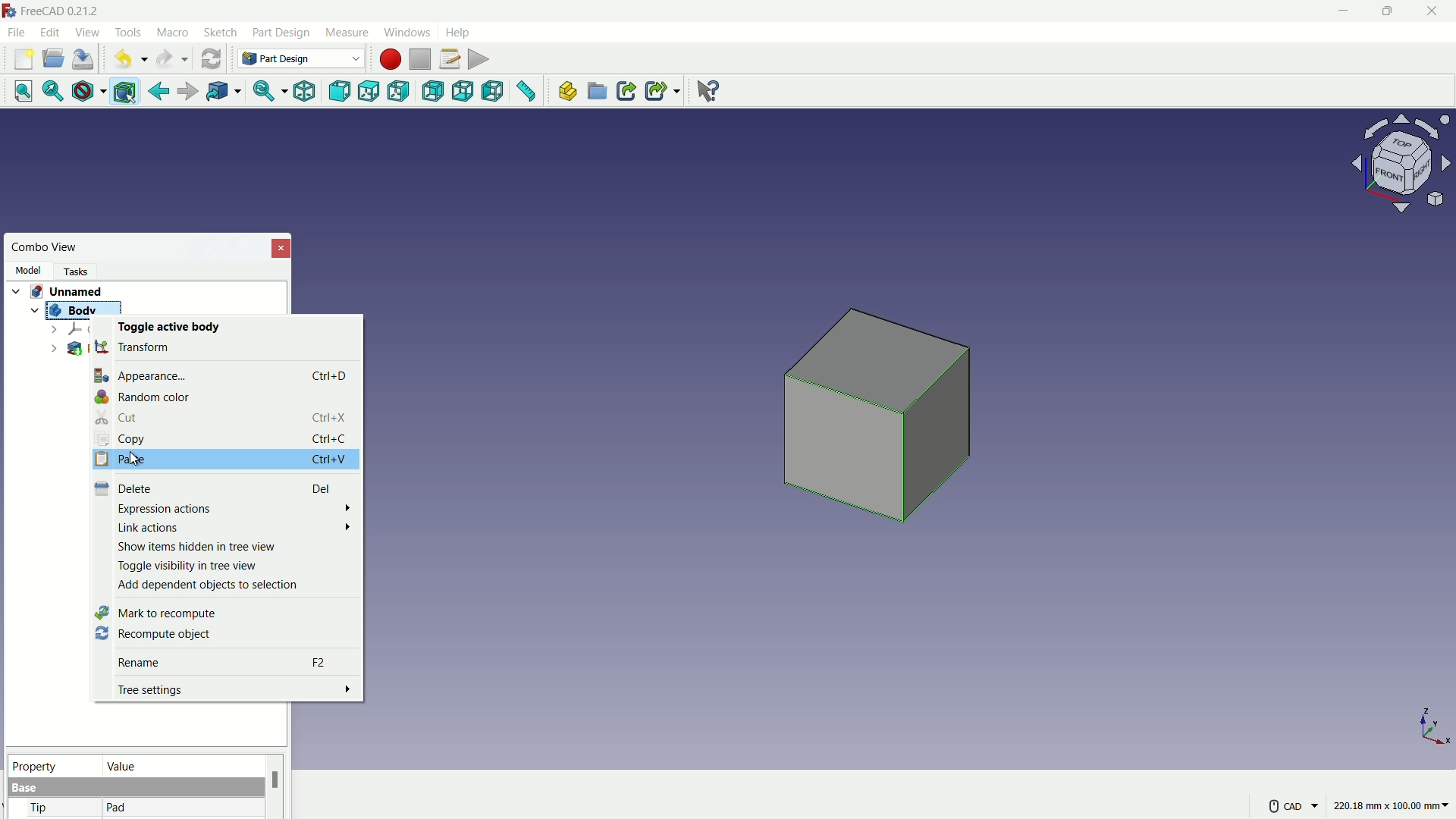  What do you see at coordinates (1433, 11) in the screenshot?
I see `close app` at bounding box center [1433, 11].